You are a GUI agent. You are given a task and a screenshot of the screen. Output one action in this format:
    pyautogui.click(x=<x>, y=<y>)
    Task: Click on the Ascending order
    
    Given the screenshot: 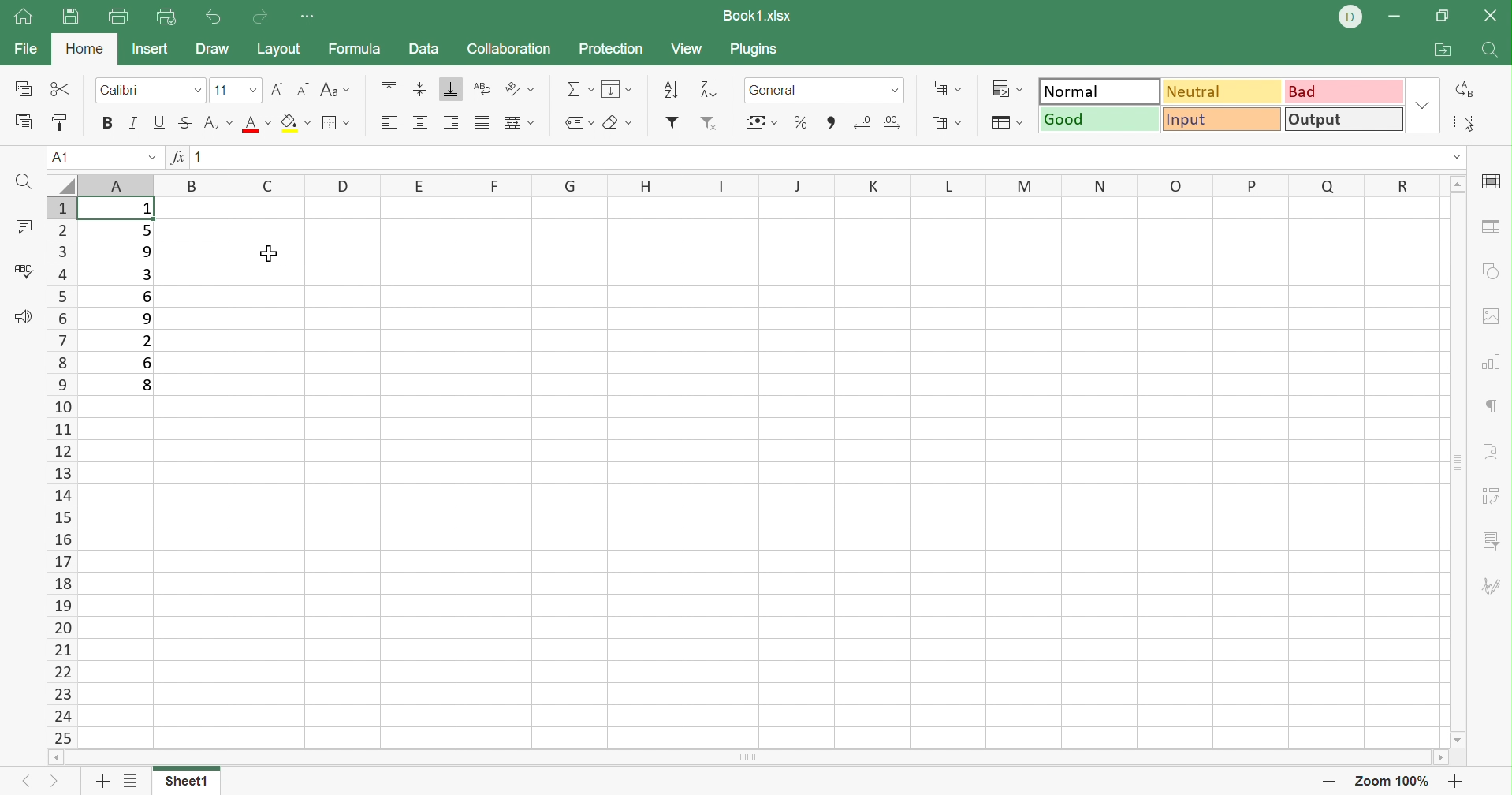 What is the action you would take?
    pyautogui.click(x=671, y=91)
    